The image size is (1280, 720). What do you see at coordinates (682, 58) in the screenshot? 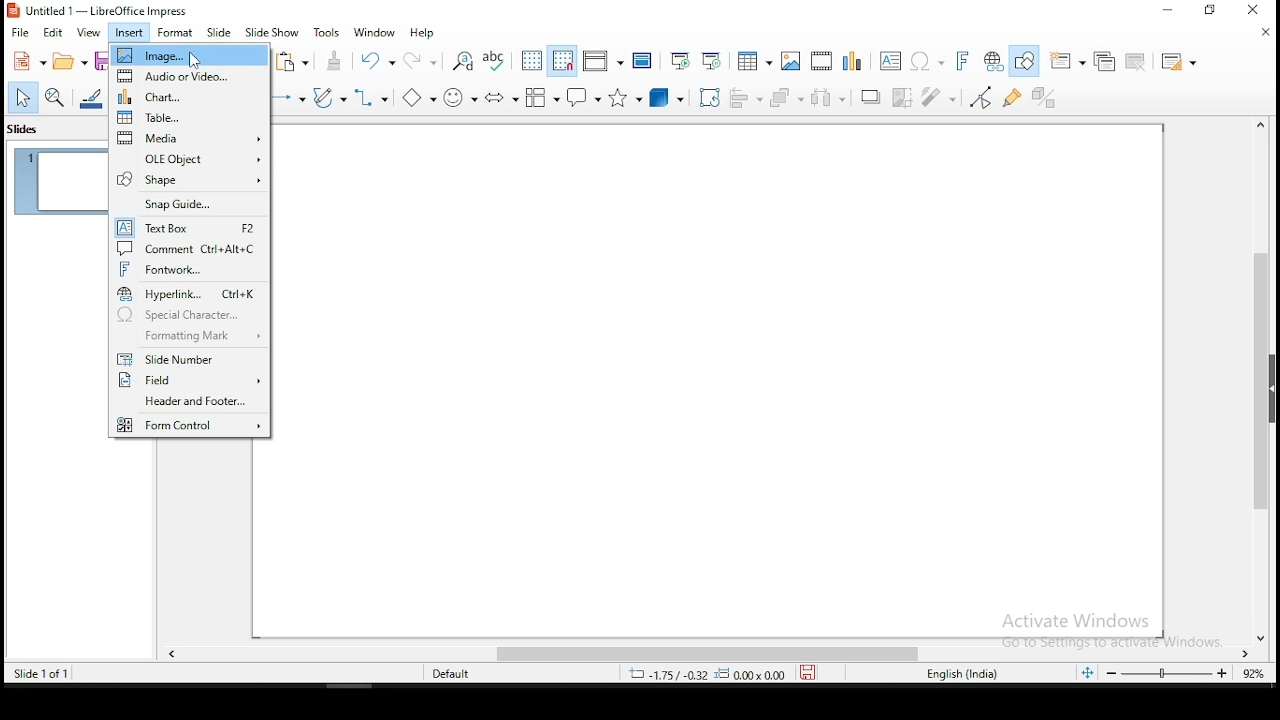
I see `start from first slide` at bounding box center [682, 58].